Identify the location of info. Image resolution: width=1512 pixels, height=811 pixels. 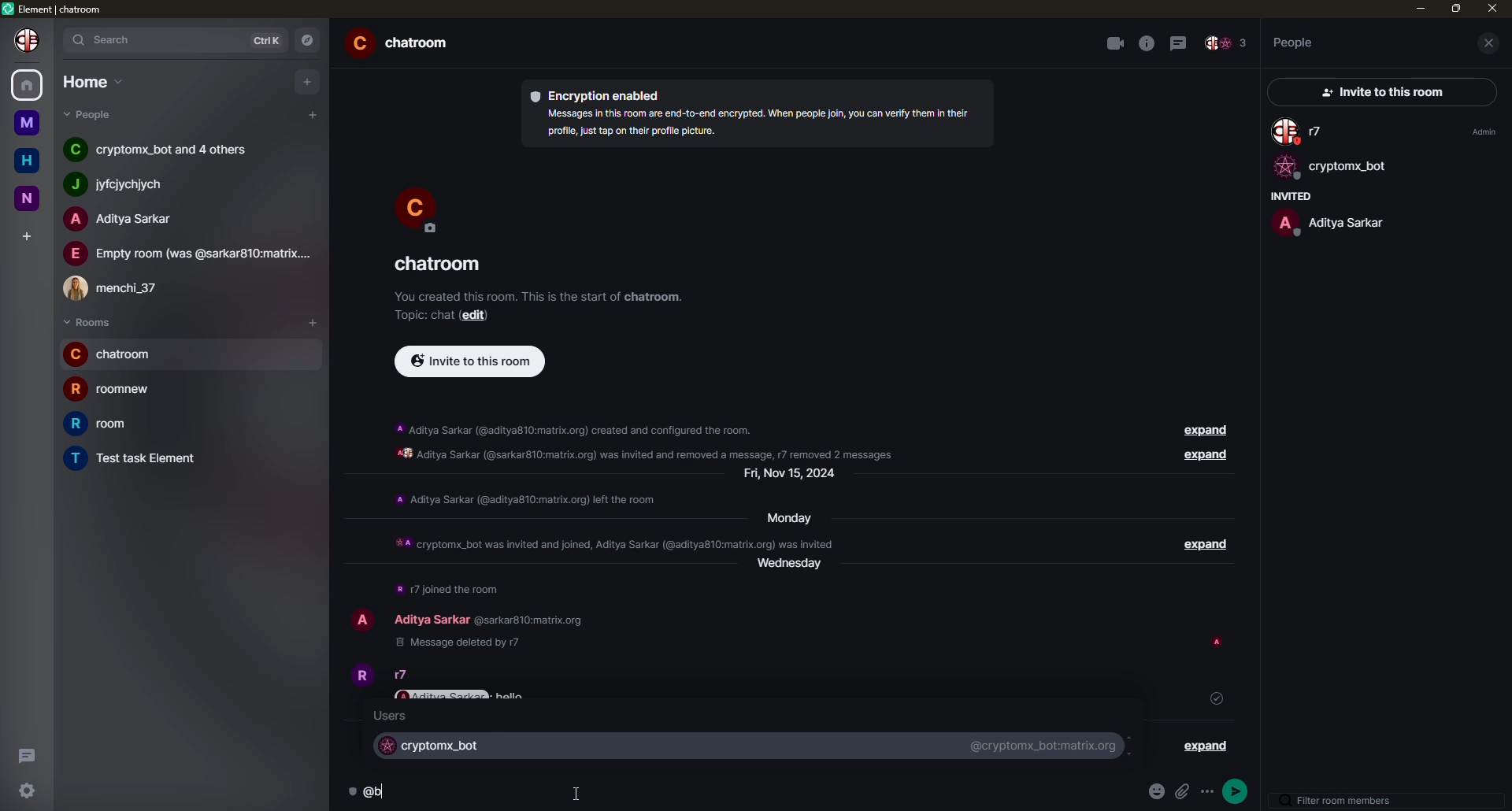
(639, 666).